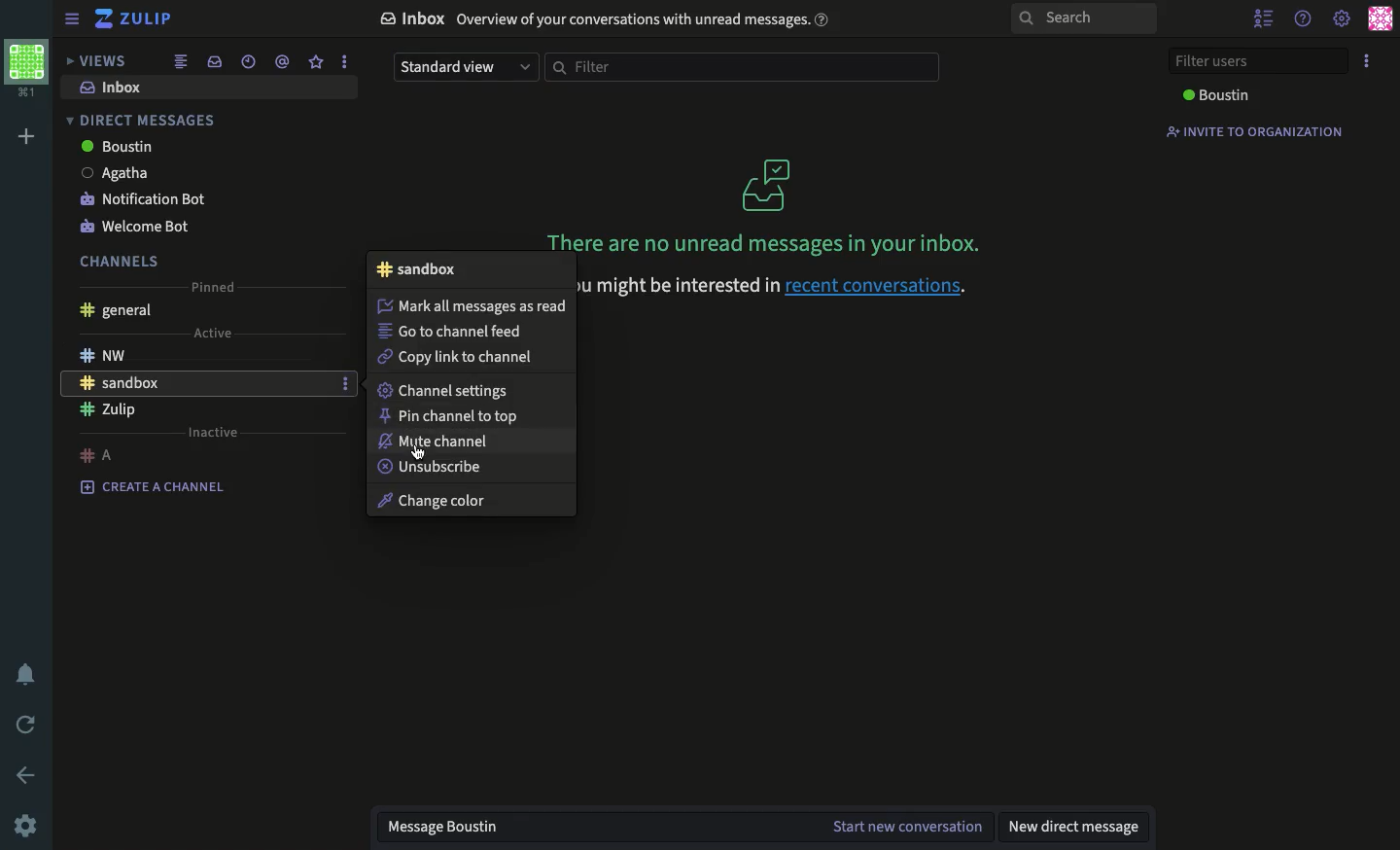  Describe the element at coordinates (345, 384) in the screenshot. I see `options` at that location.